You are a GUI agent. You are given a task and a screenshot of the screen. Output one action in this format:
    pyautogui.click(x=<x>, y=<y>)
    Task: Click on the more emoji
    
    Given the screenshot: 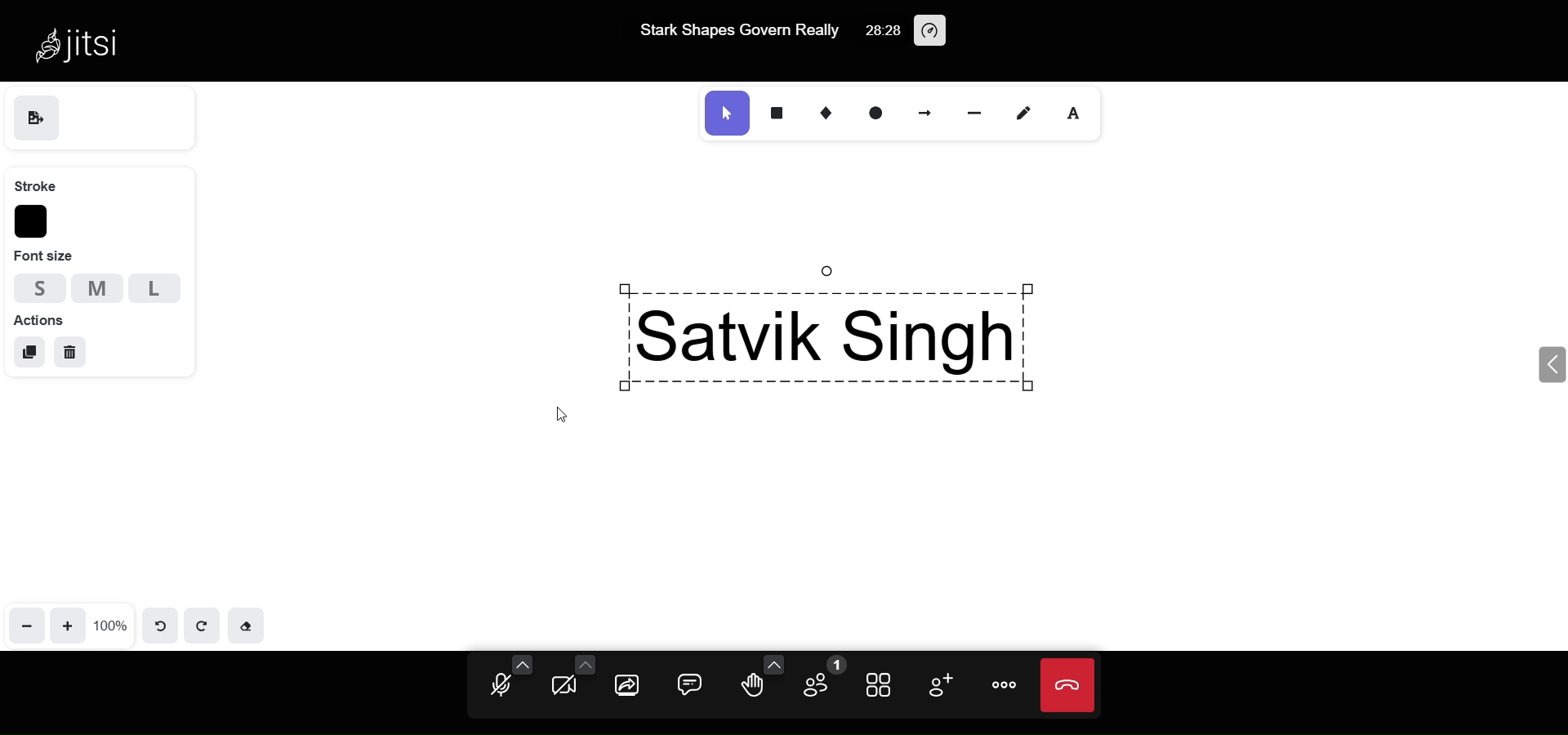 What is the action you would take?
    pyautogui.click(x=773, y=662)
    